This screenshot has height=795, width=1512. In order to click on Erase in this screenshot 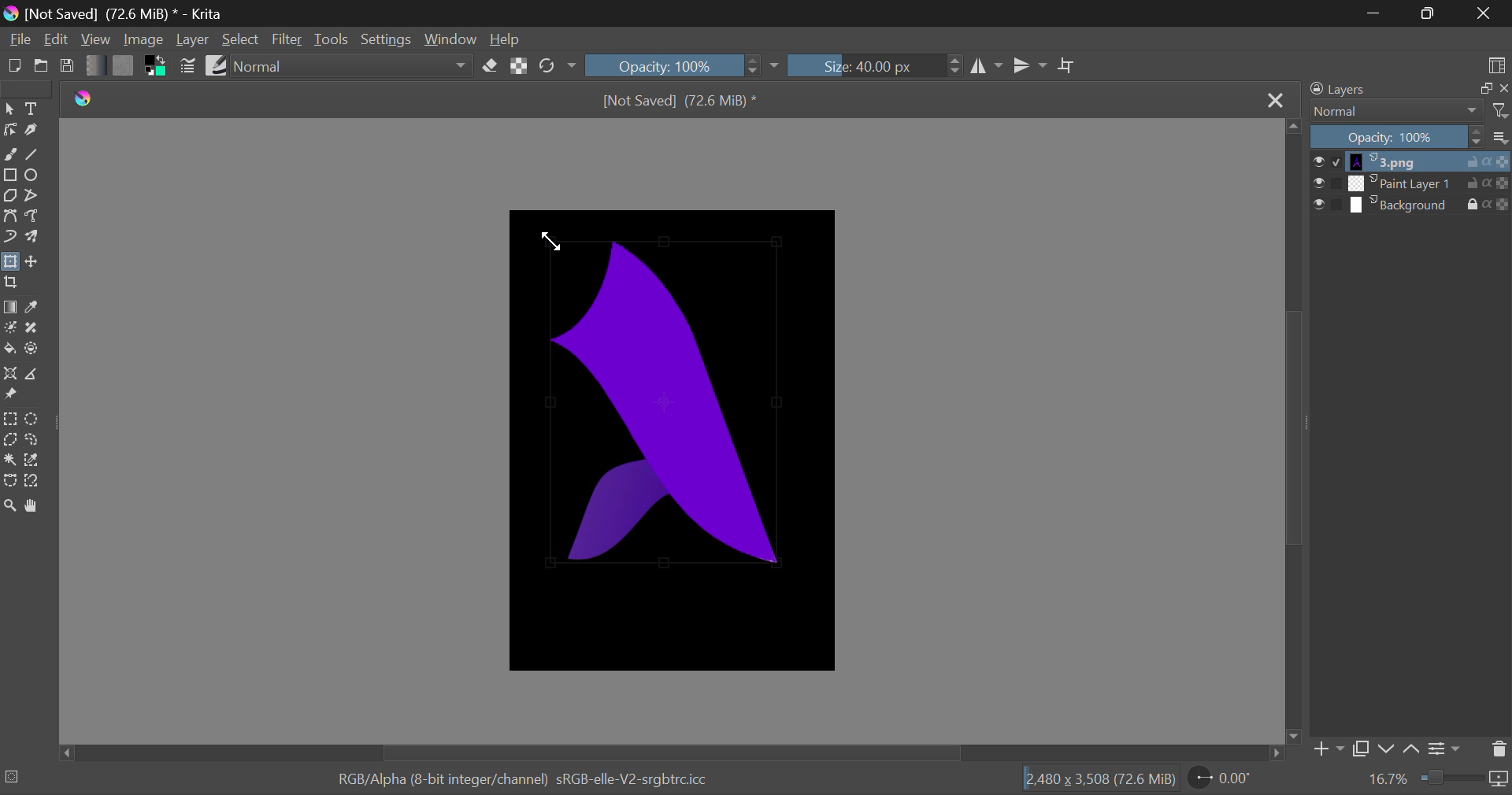, I will do `click(491, 66)`.